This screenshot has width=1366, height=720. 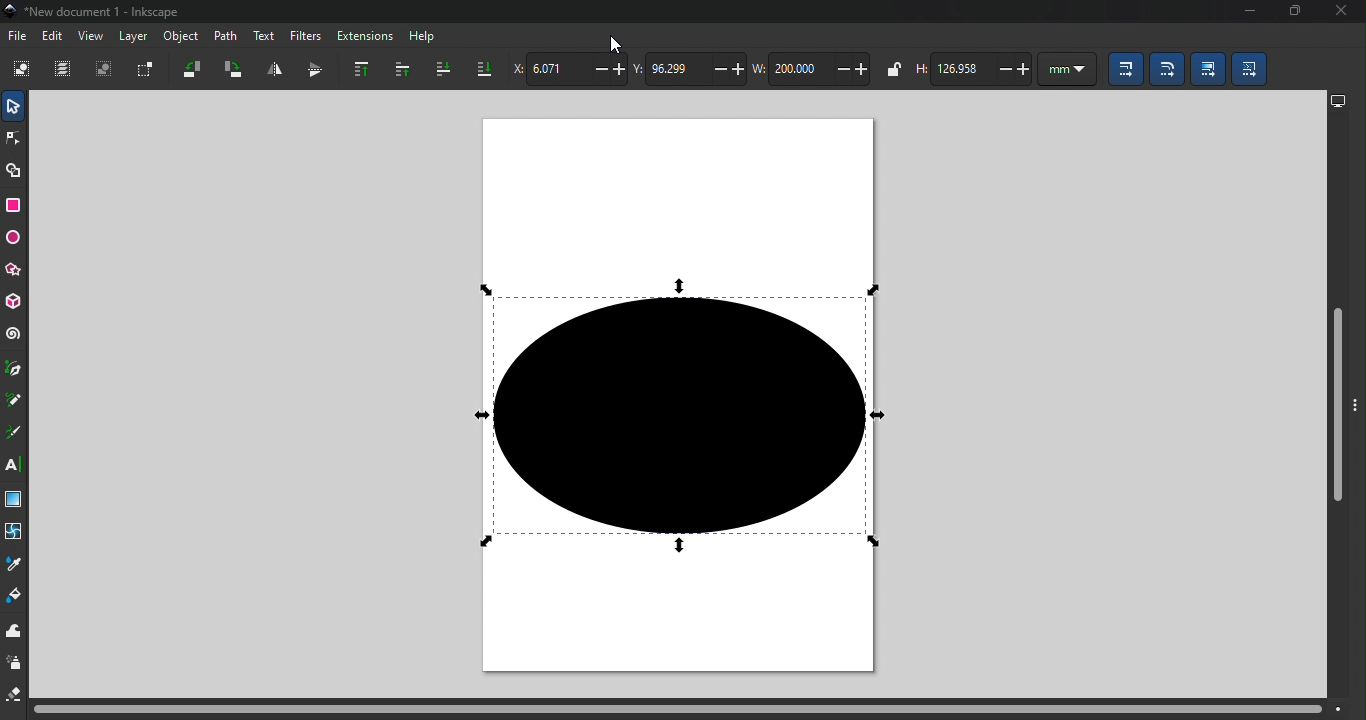 I want to click on unit, so click(x=1065, y=68).